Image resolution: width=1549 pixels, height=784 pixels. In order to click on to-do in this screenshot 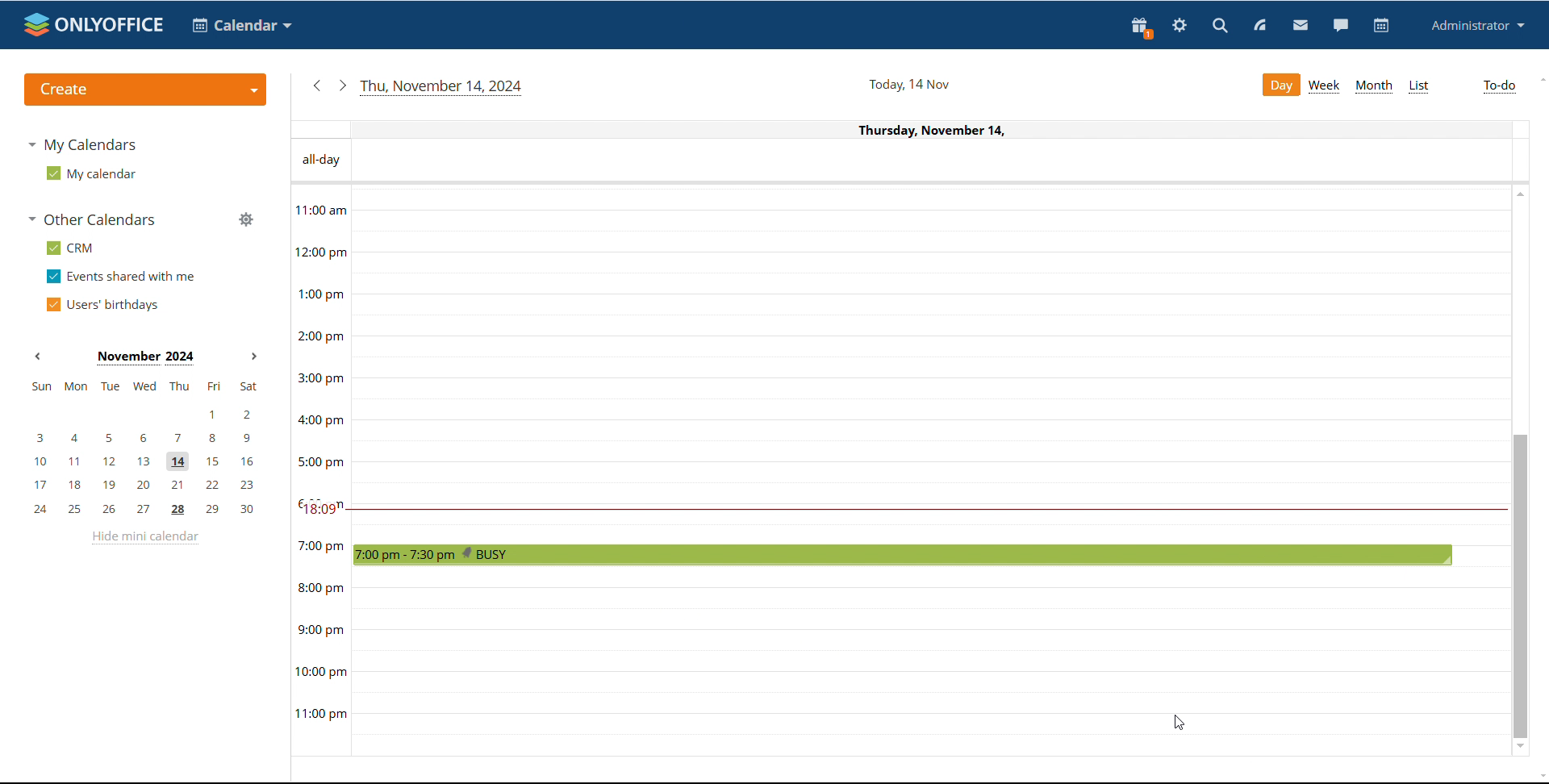, I will do `click(1500, 87)`.